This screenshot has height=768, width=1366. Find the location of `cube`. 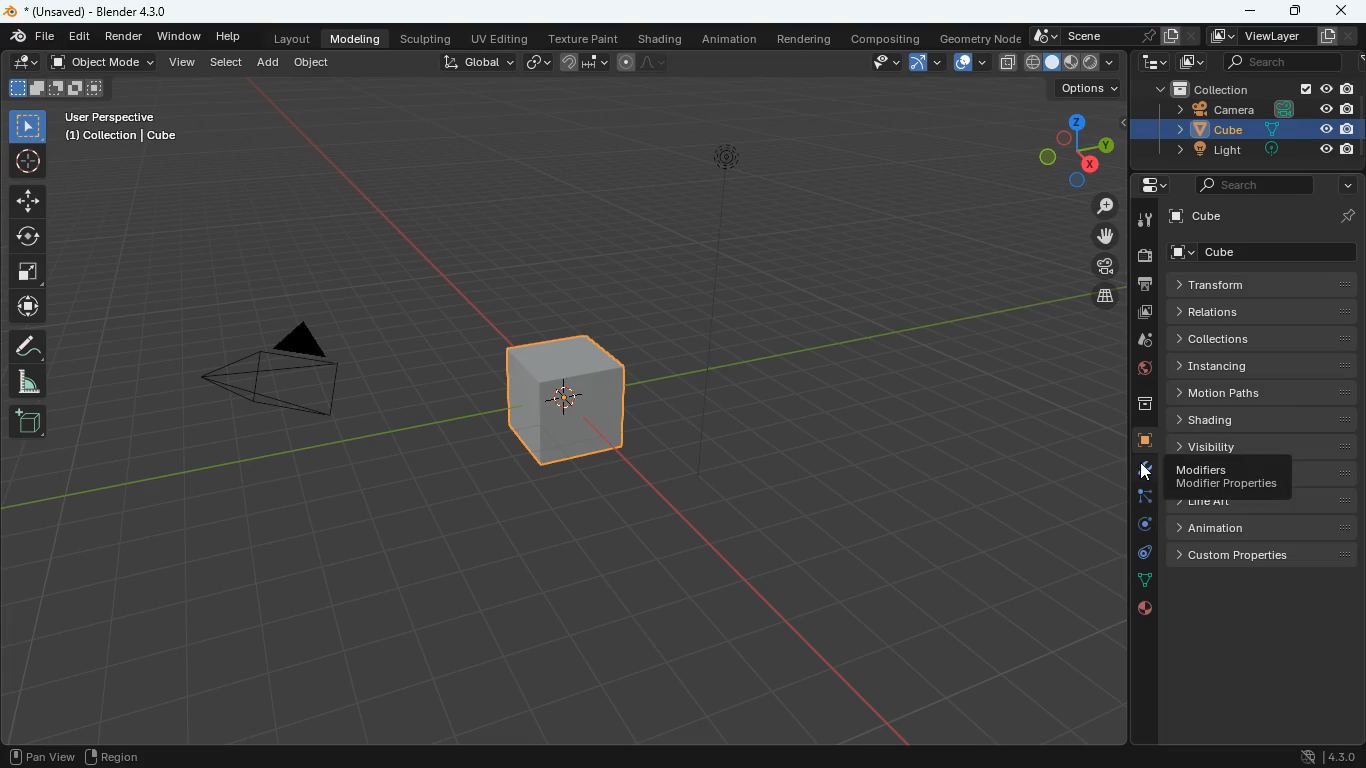

cube is located at coordinates (1246, 215).